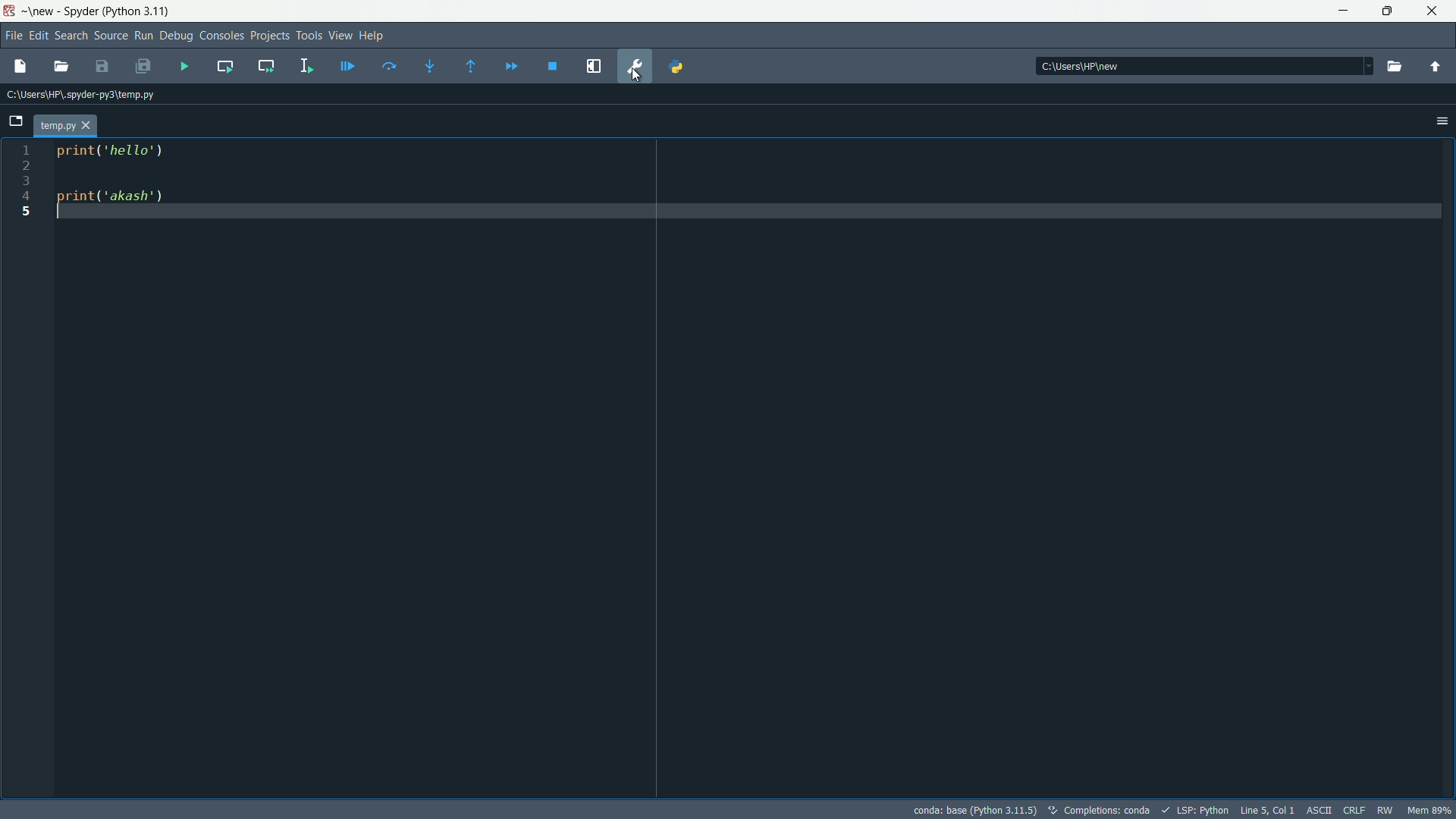 Image resolution: width=1456 pixels, height=819 pixels. What do you see at coordinates (61, 67) in the screenshot?
I see `open file` at bounding box center [61, 67].